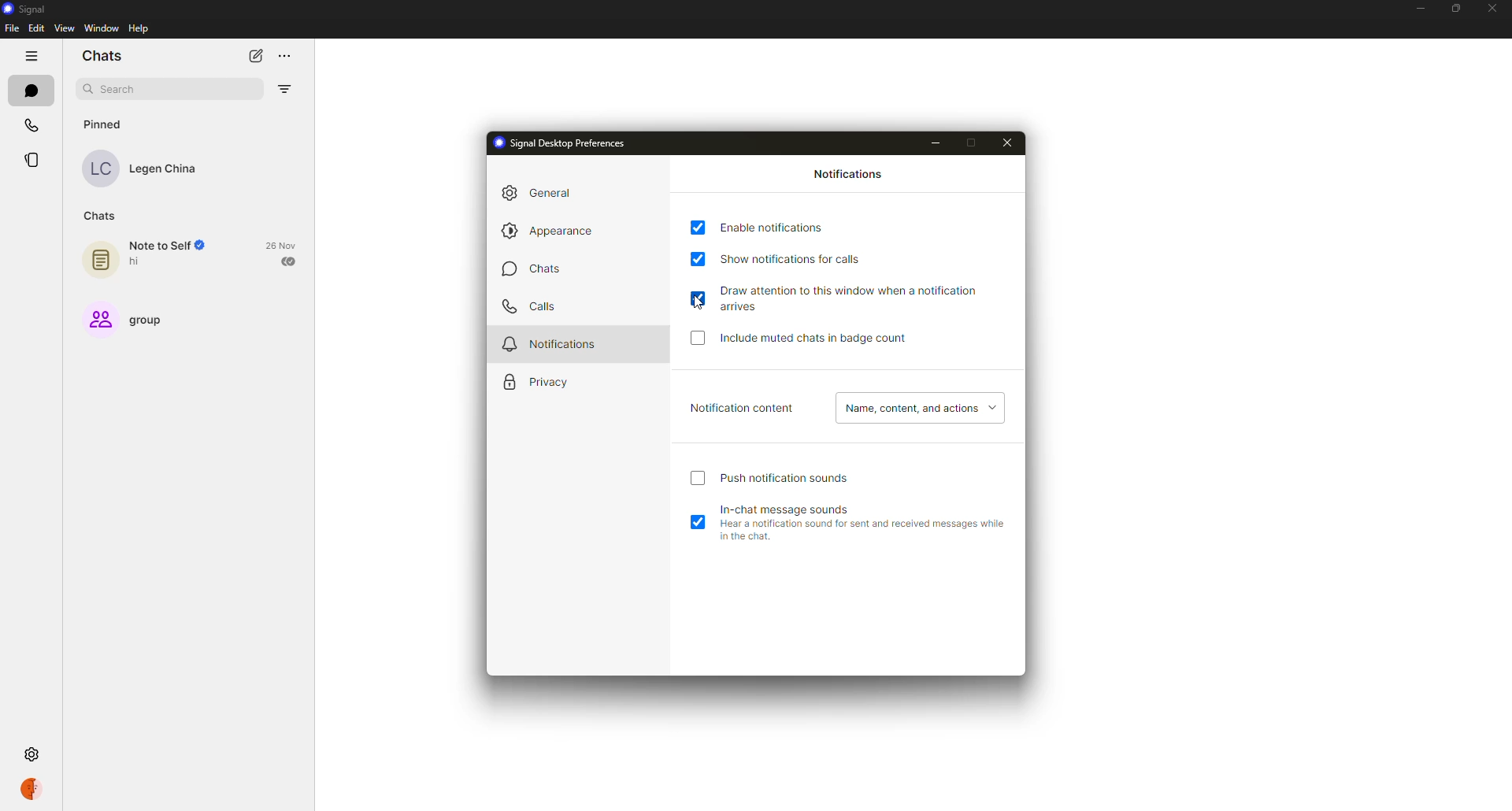  What do you see at coordinates (539, 383) in the screenshot?
I see `privacy` at bounding box center [539, 383].